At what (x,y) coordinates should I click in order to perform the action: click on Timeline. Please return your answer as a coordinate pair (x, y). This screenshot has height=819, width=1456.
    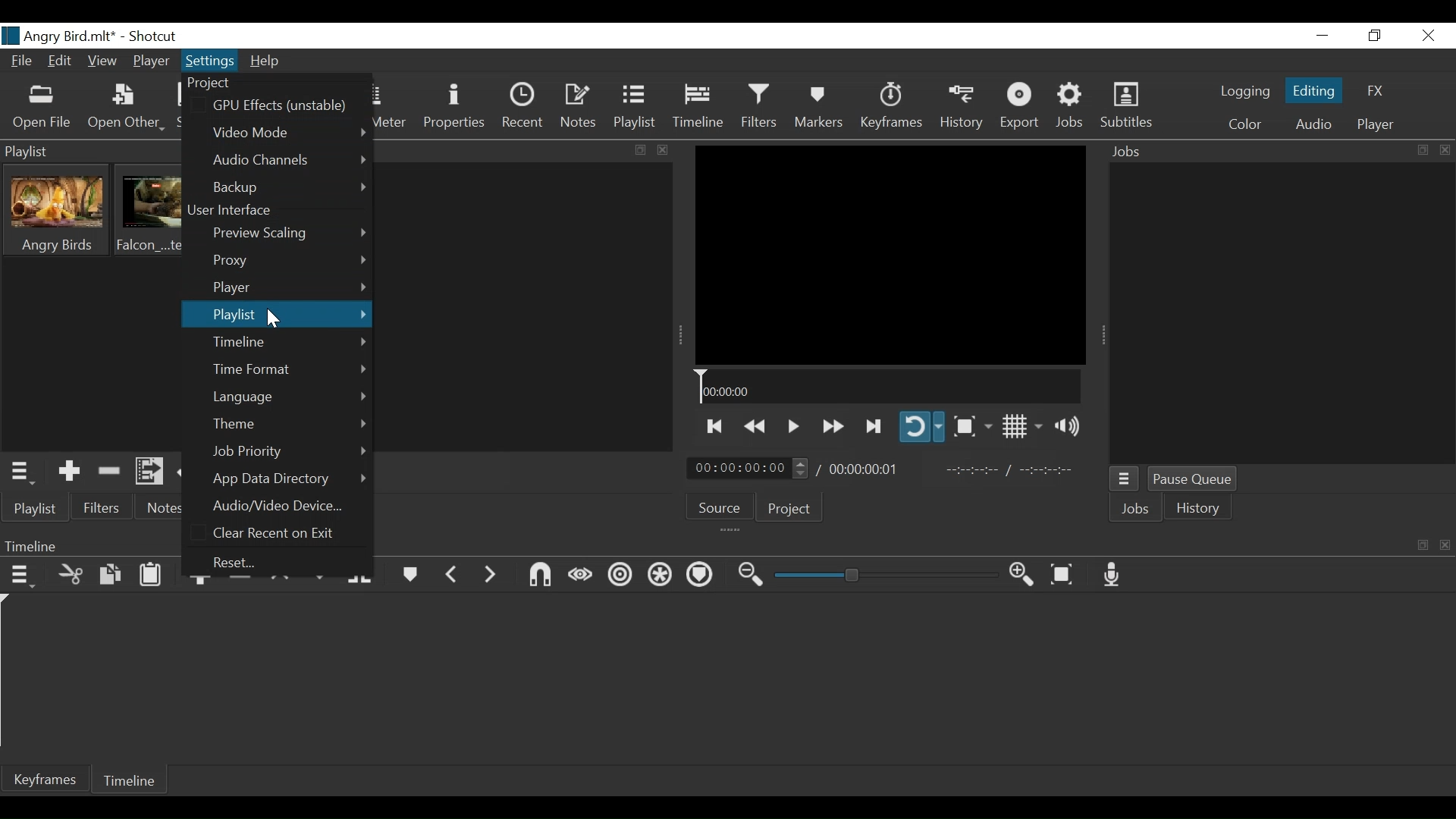
    Looking at the image, I should click on (290, 343).